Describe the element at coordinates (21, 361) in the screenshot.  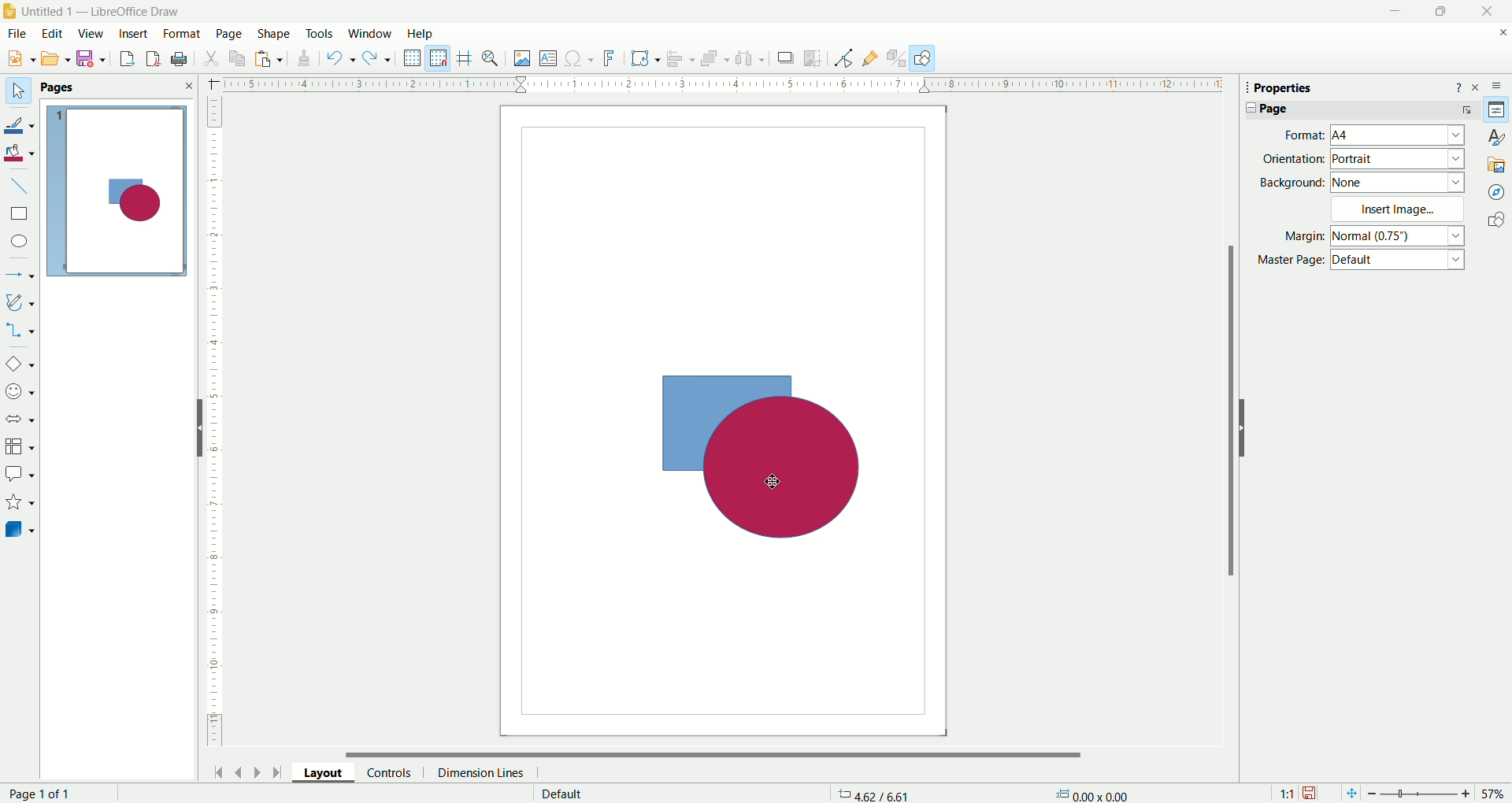
I see `basic shapes` at that location.